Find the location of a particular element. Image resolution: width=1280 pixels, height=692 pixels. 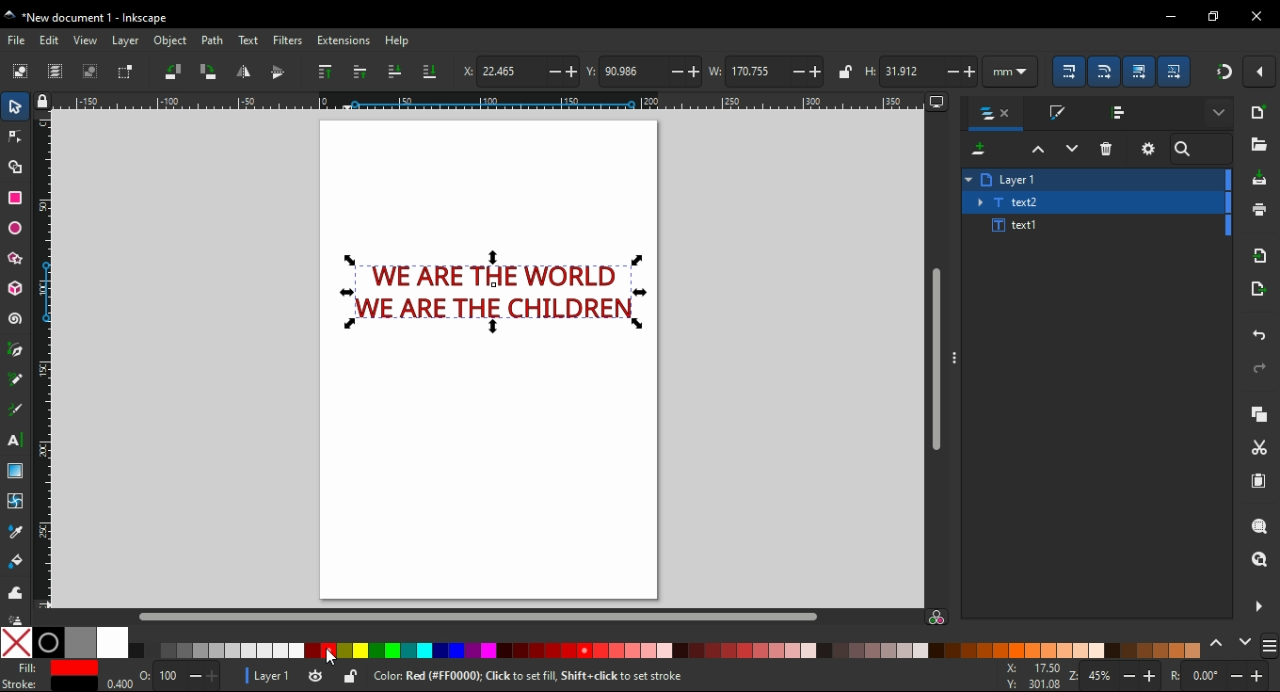

extension is located at coordinates (343, 42).